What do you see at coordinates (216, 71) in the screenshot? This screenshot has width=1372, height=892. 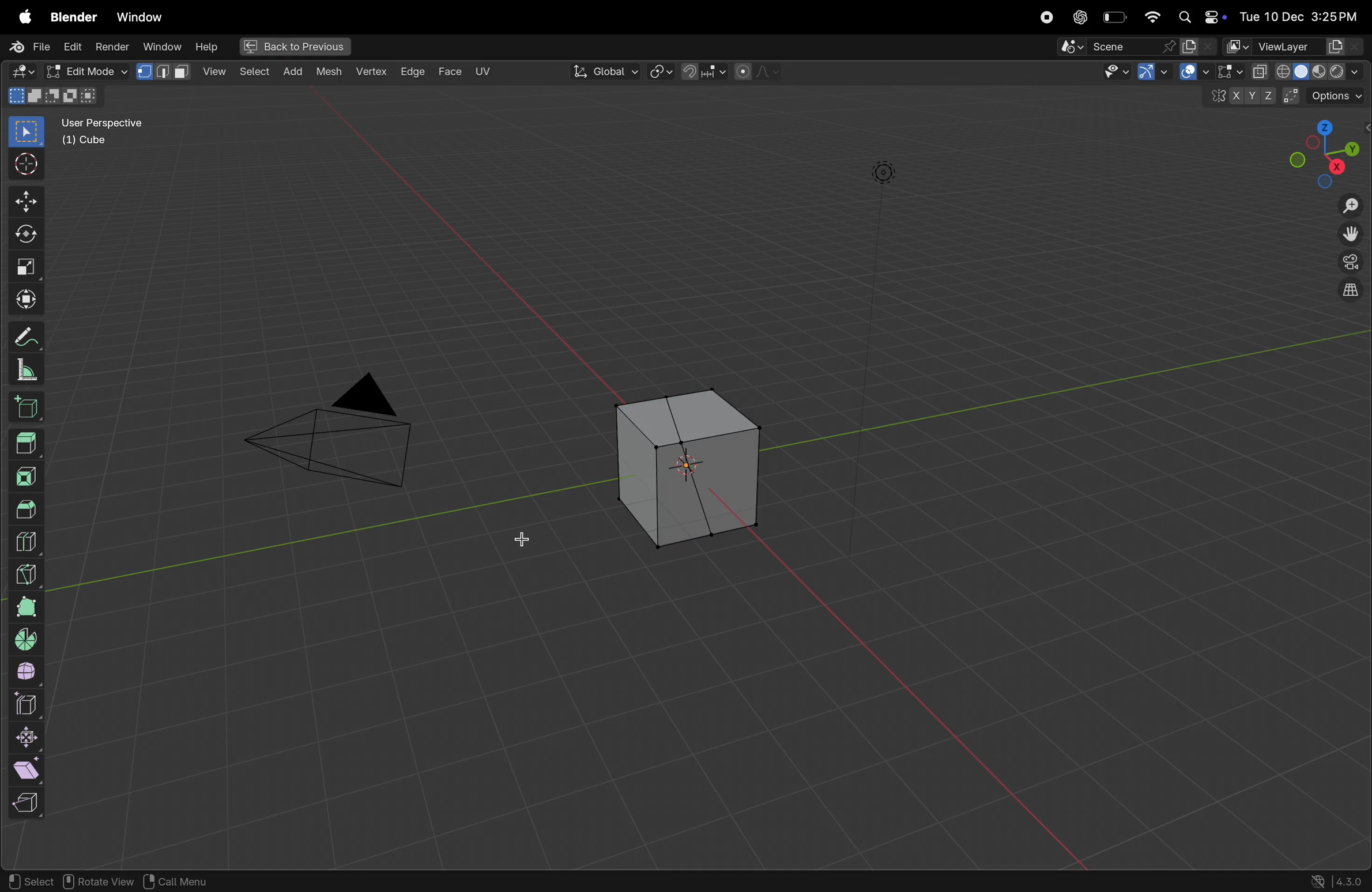 I see `select` at bounding box center [216, 71].